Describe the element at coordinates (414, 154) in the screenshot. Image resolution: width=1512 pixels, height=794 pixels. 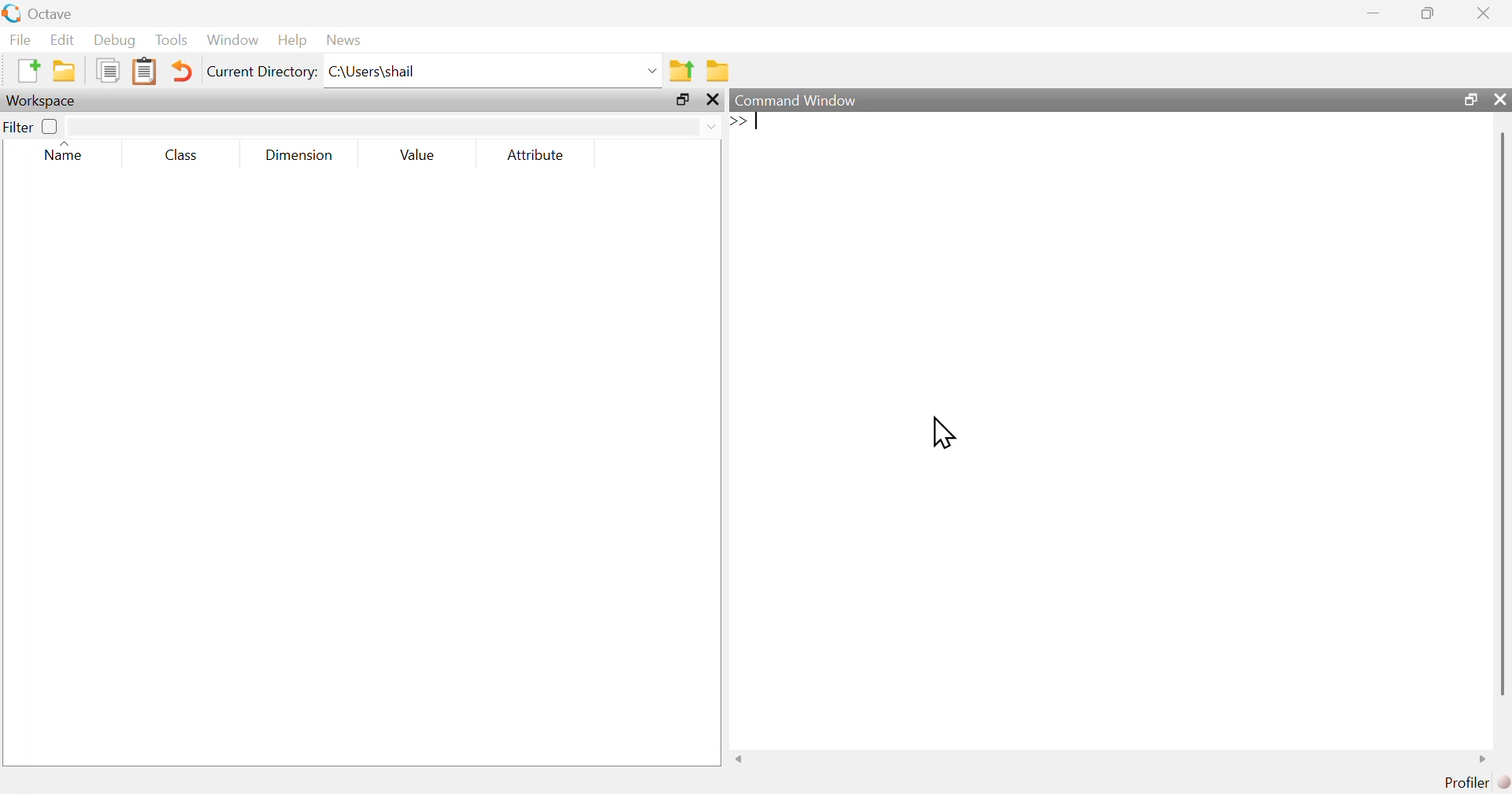
I see `Value` at that location.